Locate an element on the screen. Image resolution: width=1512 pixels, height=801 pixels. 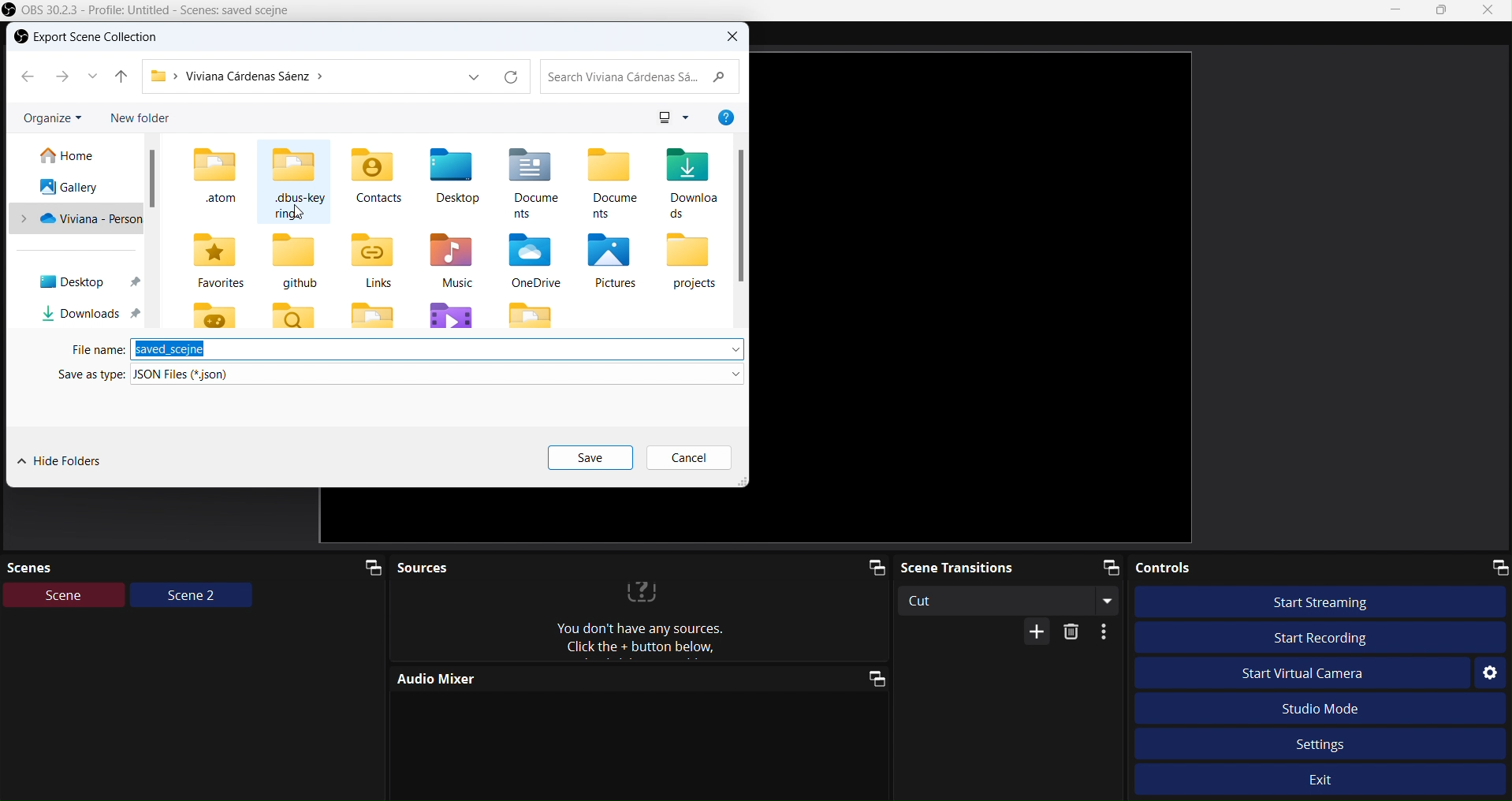
minimize is located at coordinates (1395, 9).